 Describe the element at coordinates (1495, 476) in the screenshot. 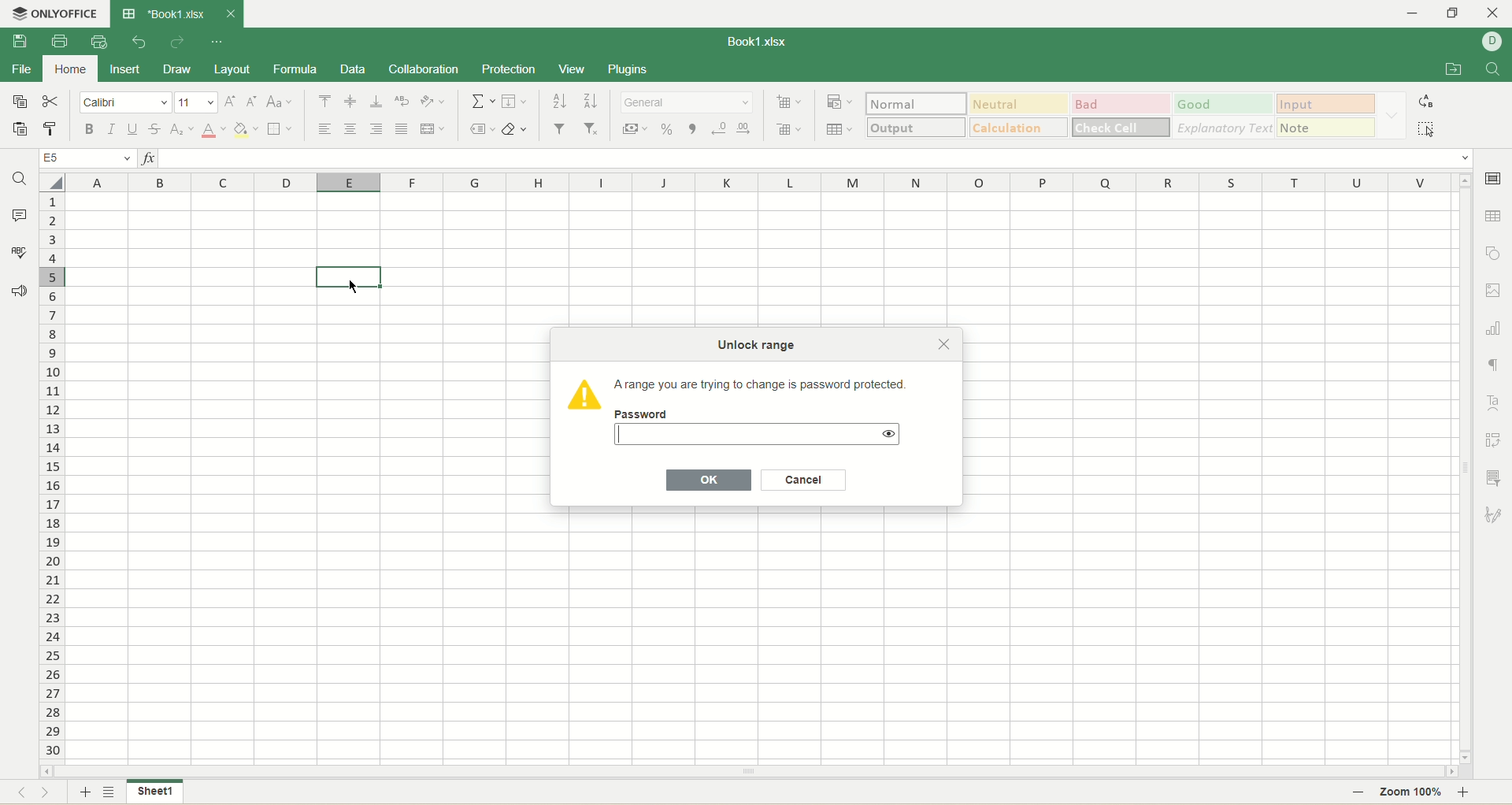

I see `slicer settings` at that location.